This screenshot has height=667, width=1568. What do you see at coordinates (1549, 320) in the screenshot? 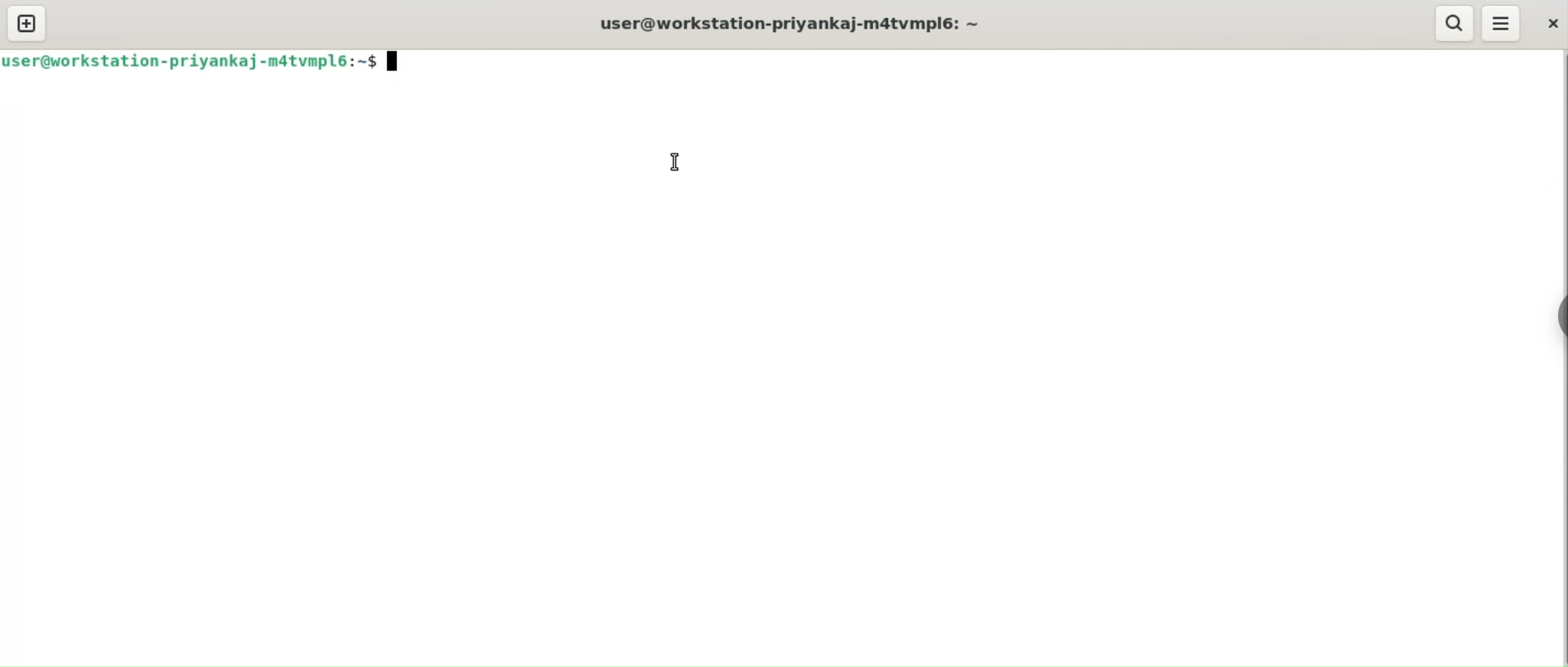
I see `chrome options` at bounding box center [1549, 320].